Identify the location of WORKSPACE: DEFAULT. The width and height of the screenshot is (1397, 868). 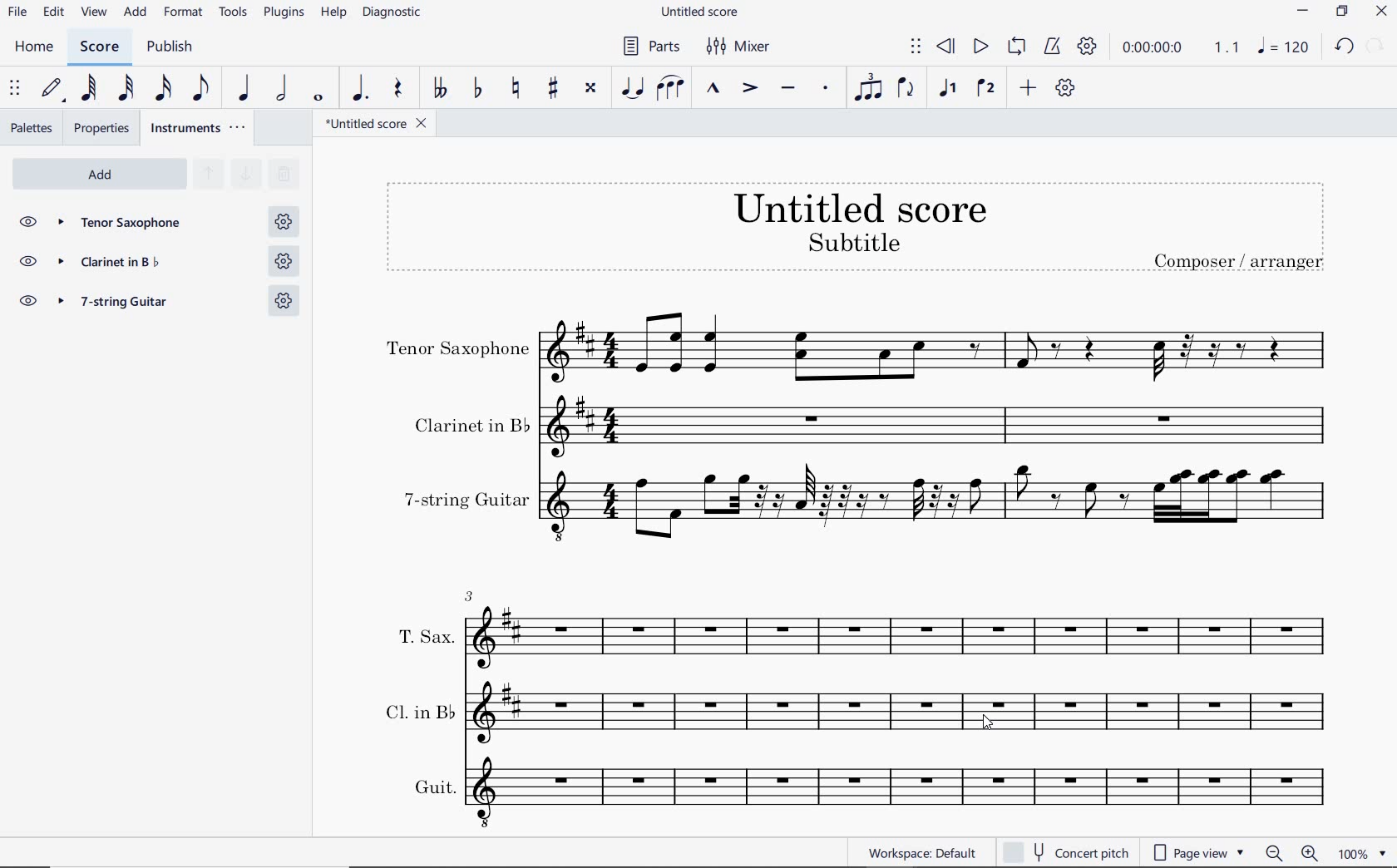
(921, 851).